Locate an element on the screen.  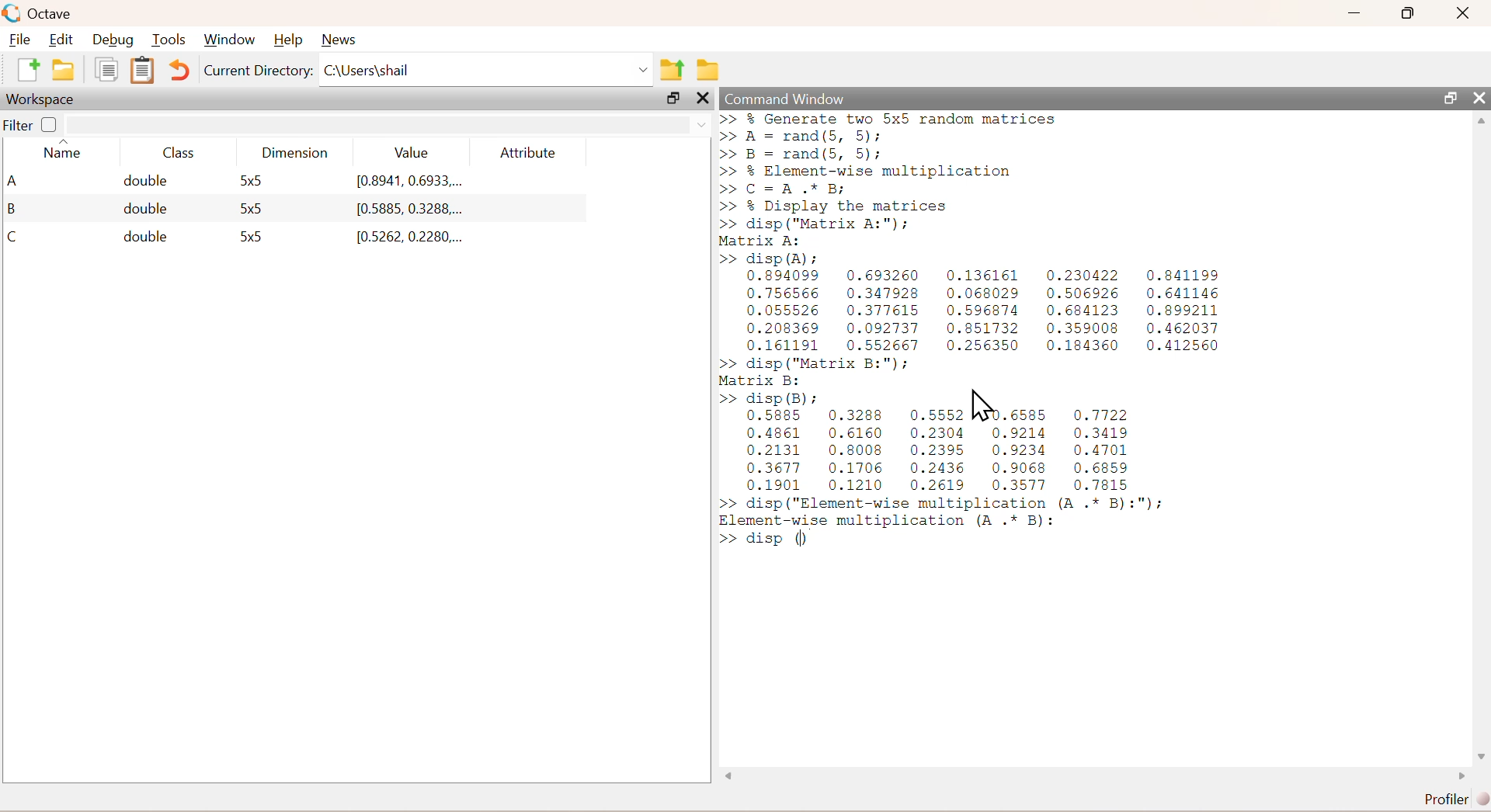
Help is located at coordinates (290, 36).